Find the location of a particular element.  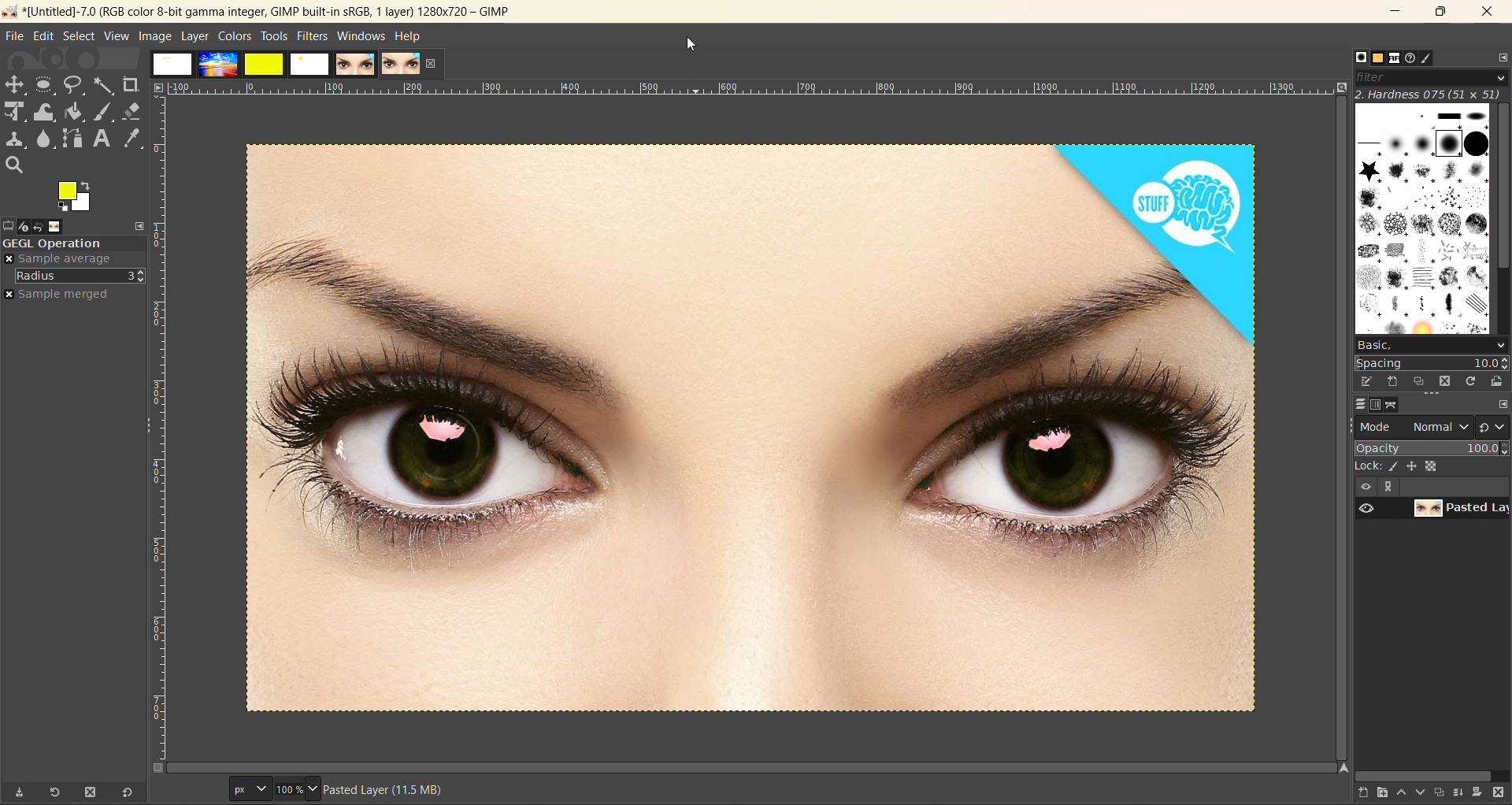

active foreground and background color is located at coordinates (76, 196).